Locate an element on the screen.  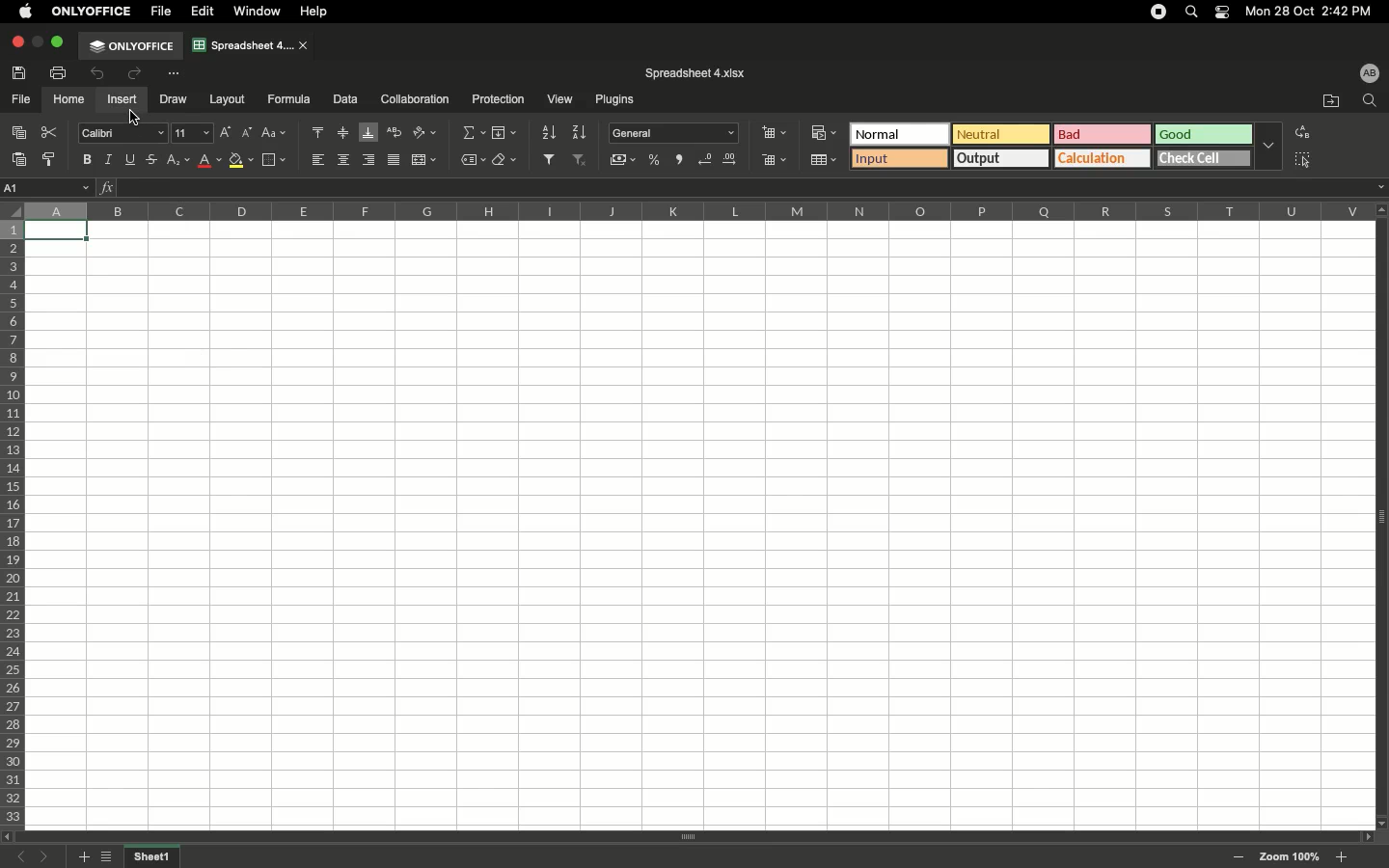
List of sheets is located at coordinates (111, 858).